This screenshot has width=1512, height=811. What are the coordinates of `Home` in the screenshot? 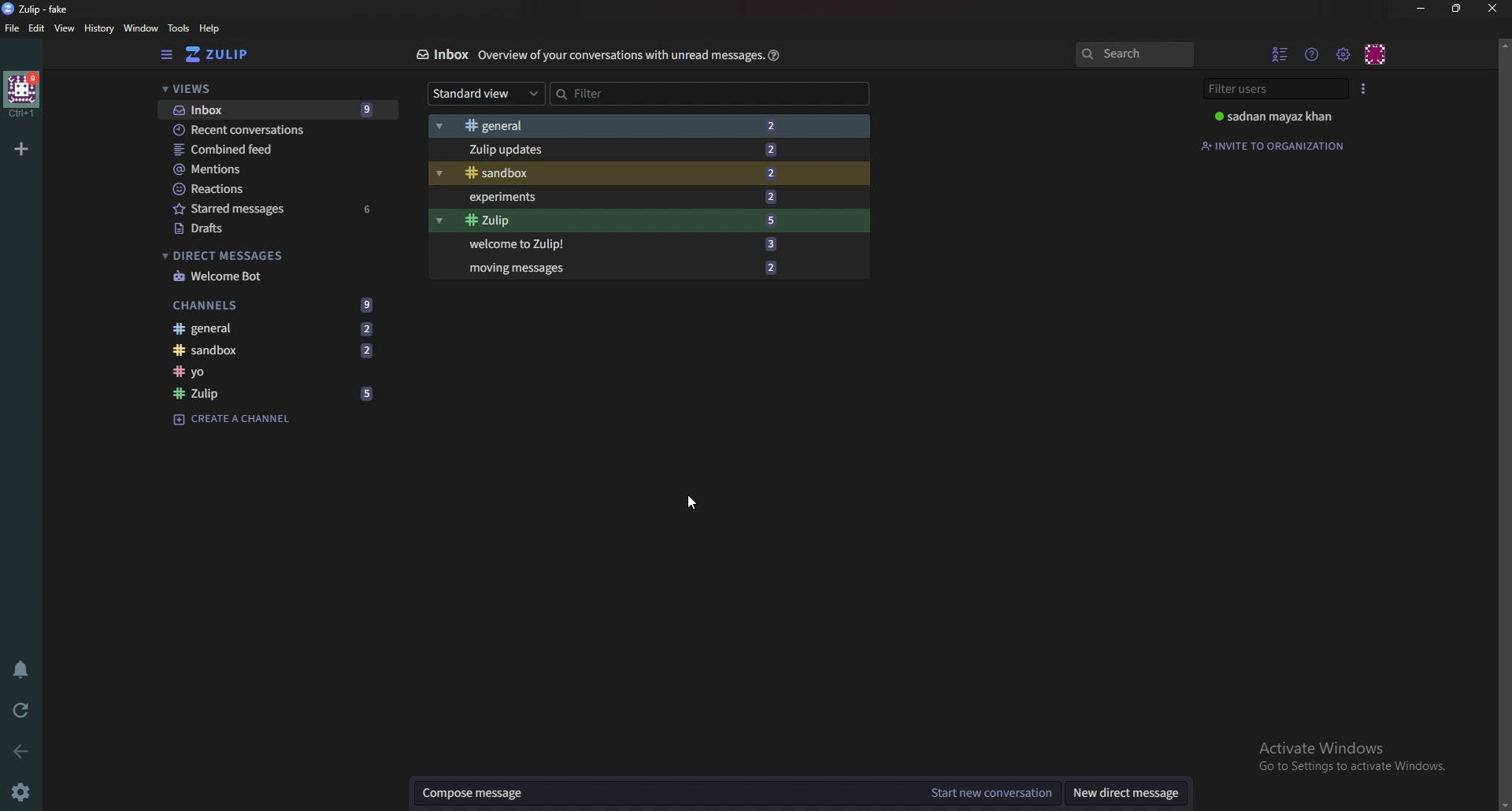 It's located at (24, 94).